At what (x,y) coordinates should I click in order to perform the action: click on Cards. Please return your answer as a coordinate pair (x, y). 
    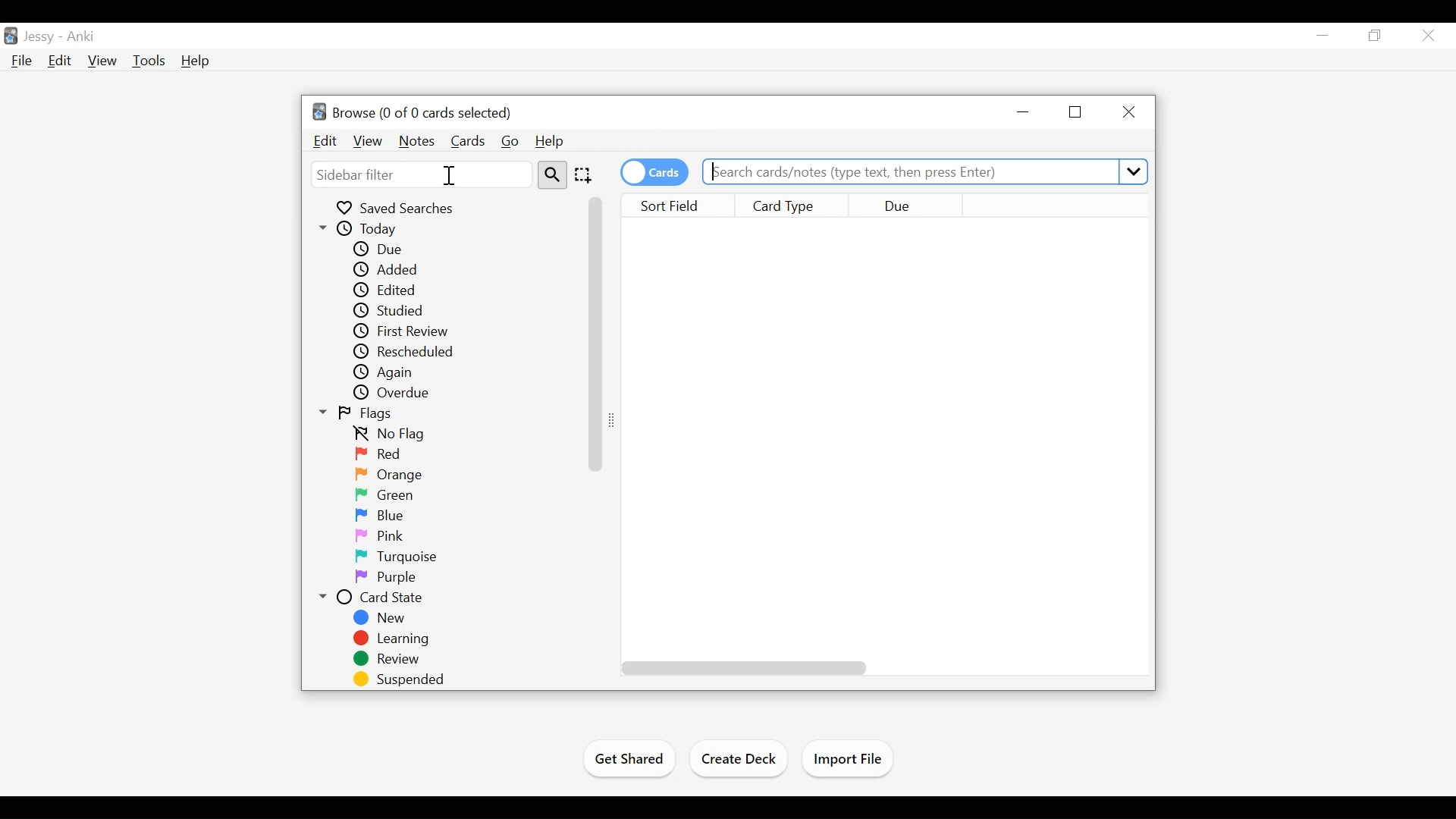
    Looking at the image, I should click on (468, 140).